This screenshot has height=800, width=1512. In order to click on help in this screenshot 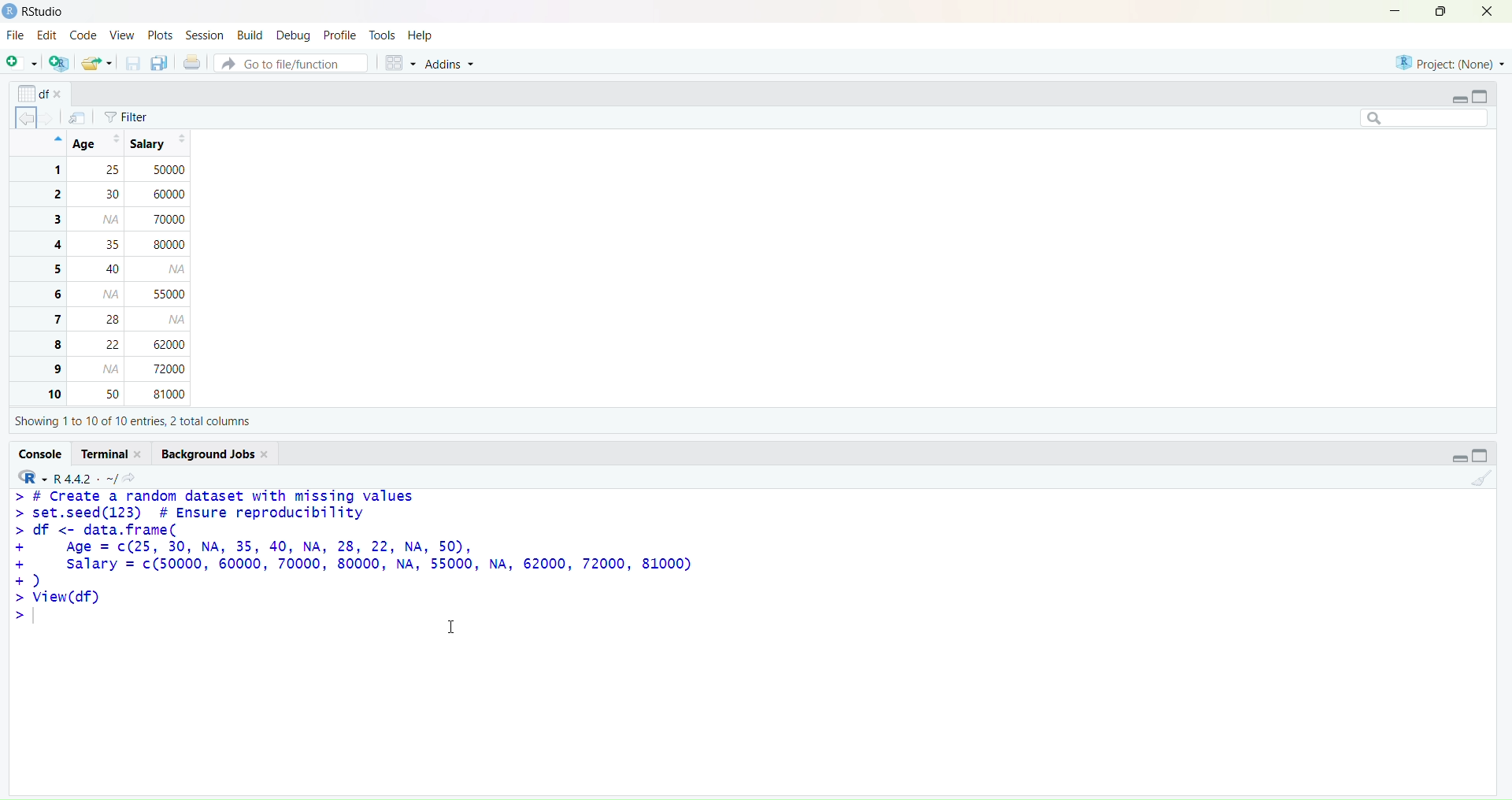, I will do `click(421, 35)`.